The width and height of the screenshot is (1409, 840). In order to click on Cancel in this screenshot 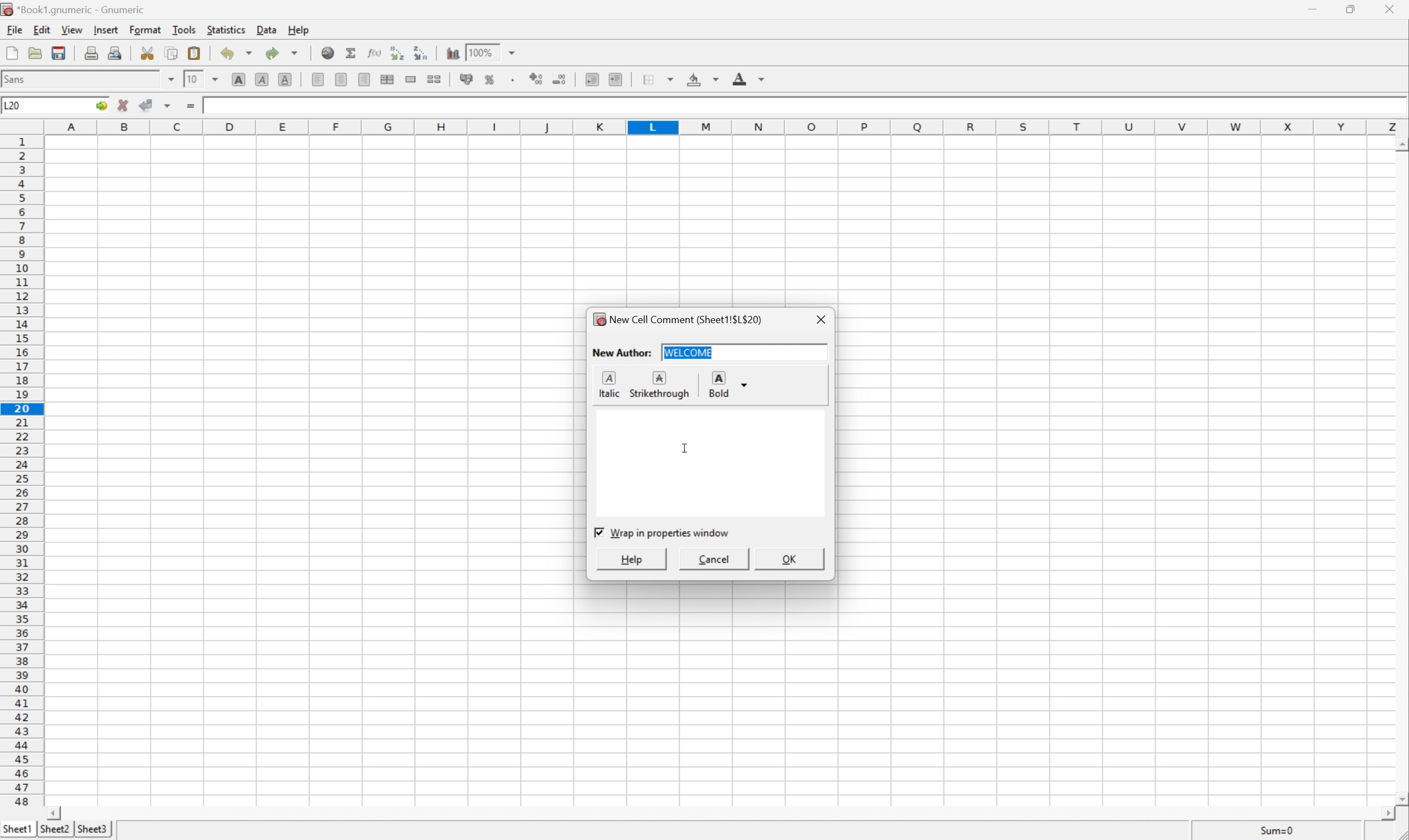, I will do `click(715, 560)`.